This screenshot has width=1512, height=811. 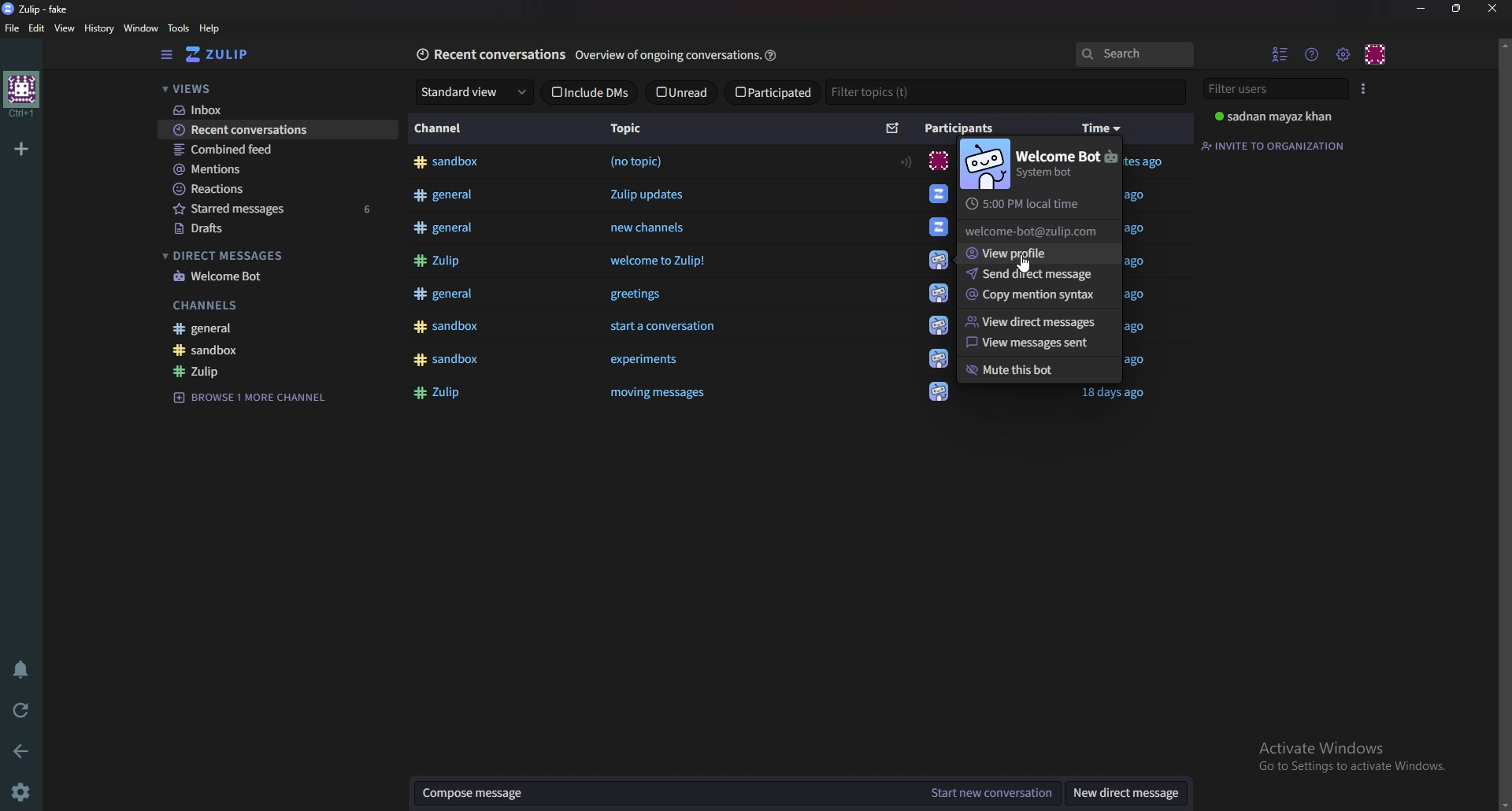 I want to click on Recent conversations, so click(x=490, y=55).